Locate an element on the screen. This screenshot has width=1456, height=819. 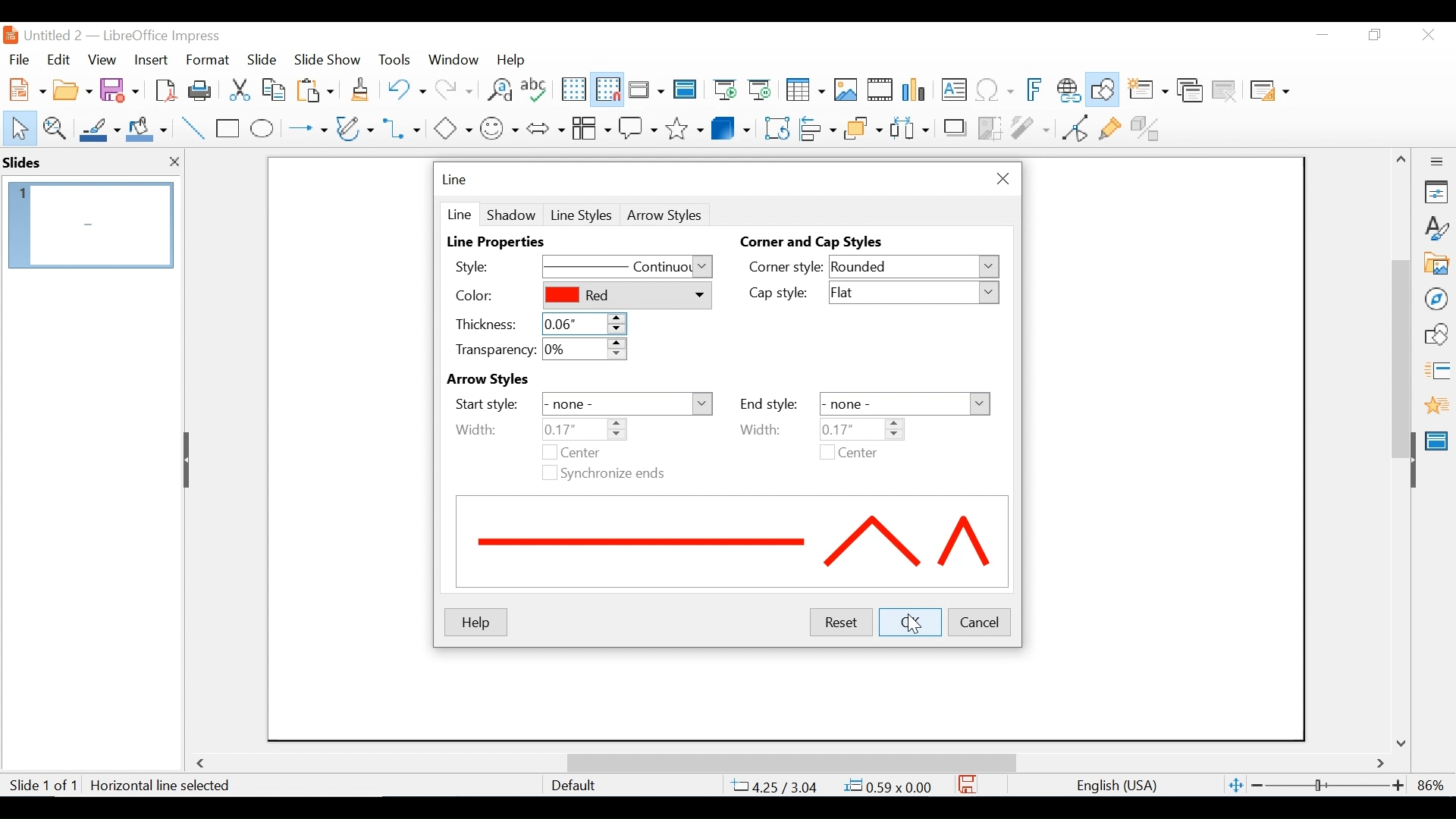
Insert Image is located at coordinates (845, 90).